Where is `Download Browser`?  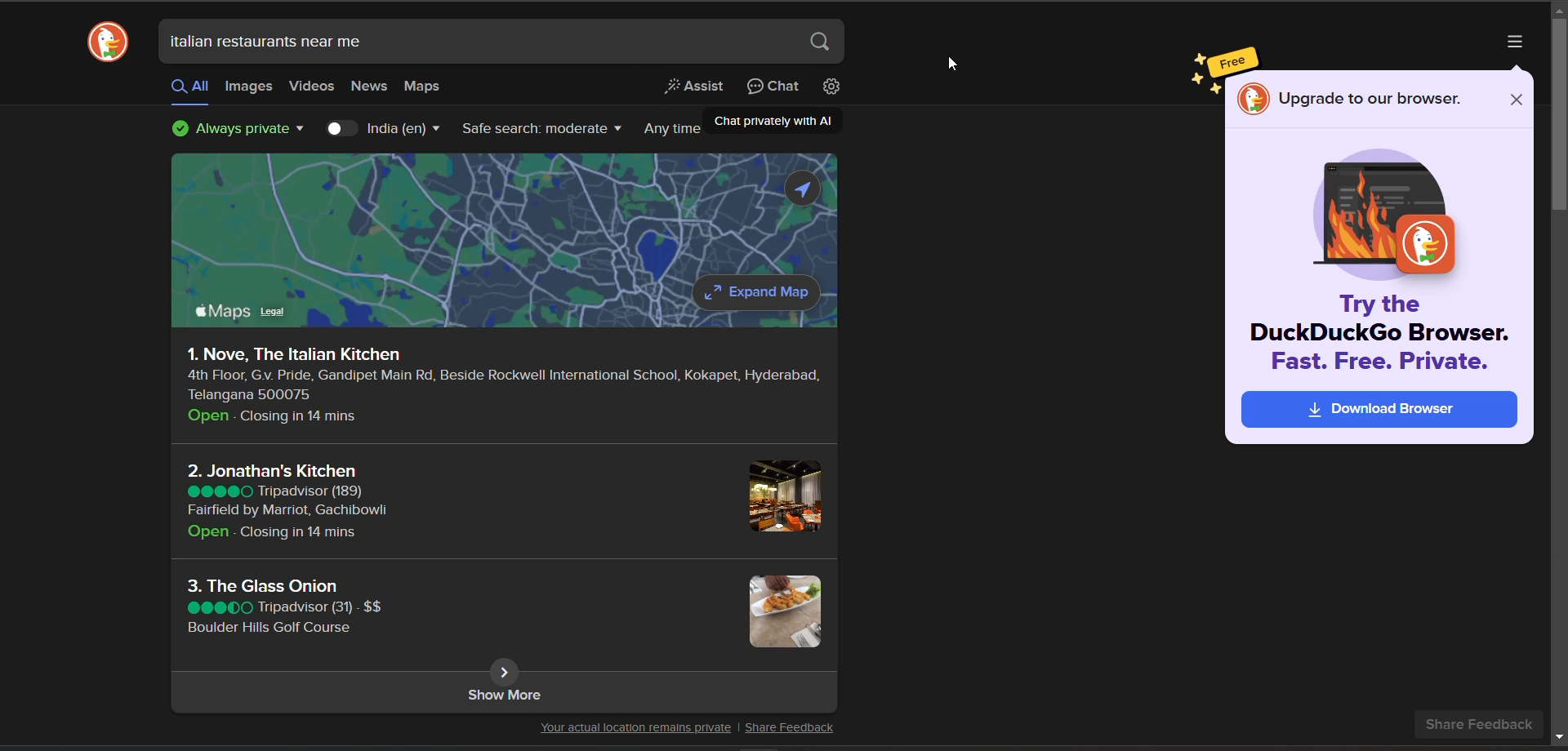 Download Browser is located at coordinates (1379, 410).